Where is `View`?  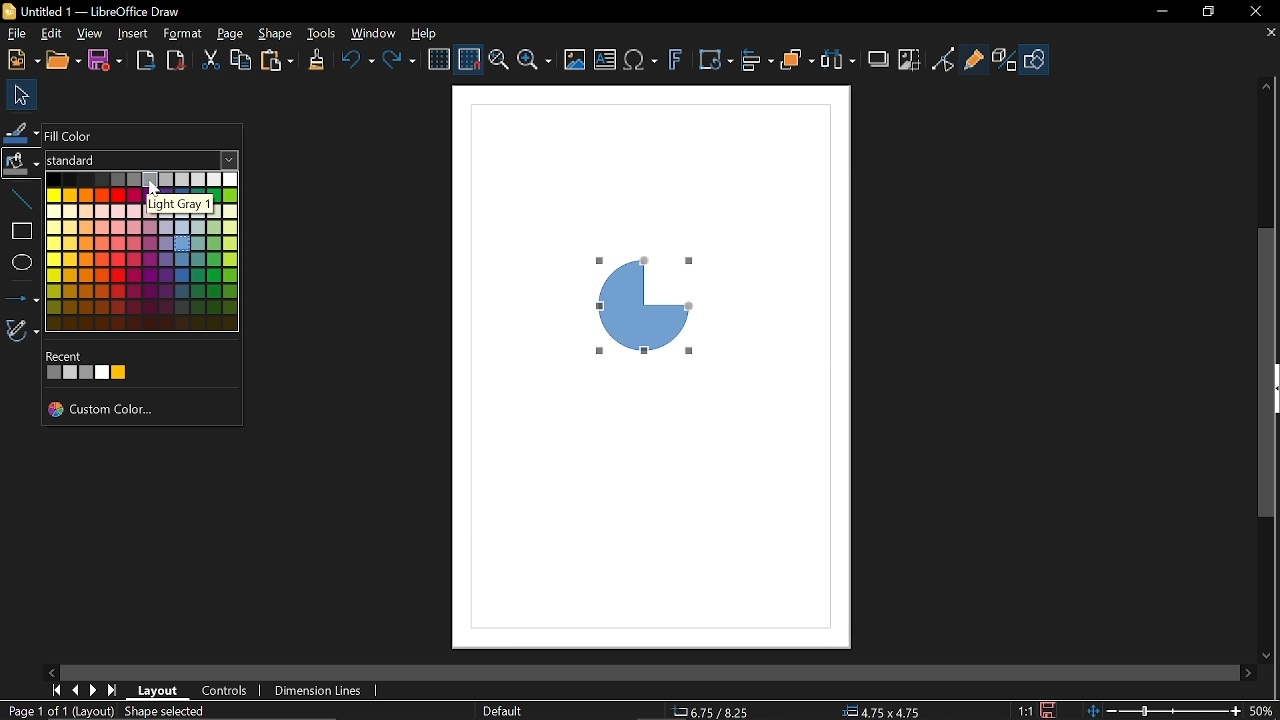 View is located at coordinates (90, 34).